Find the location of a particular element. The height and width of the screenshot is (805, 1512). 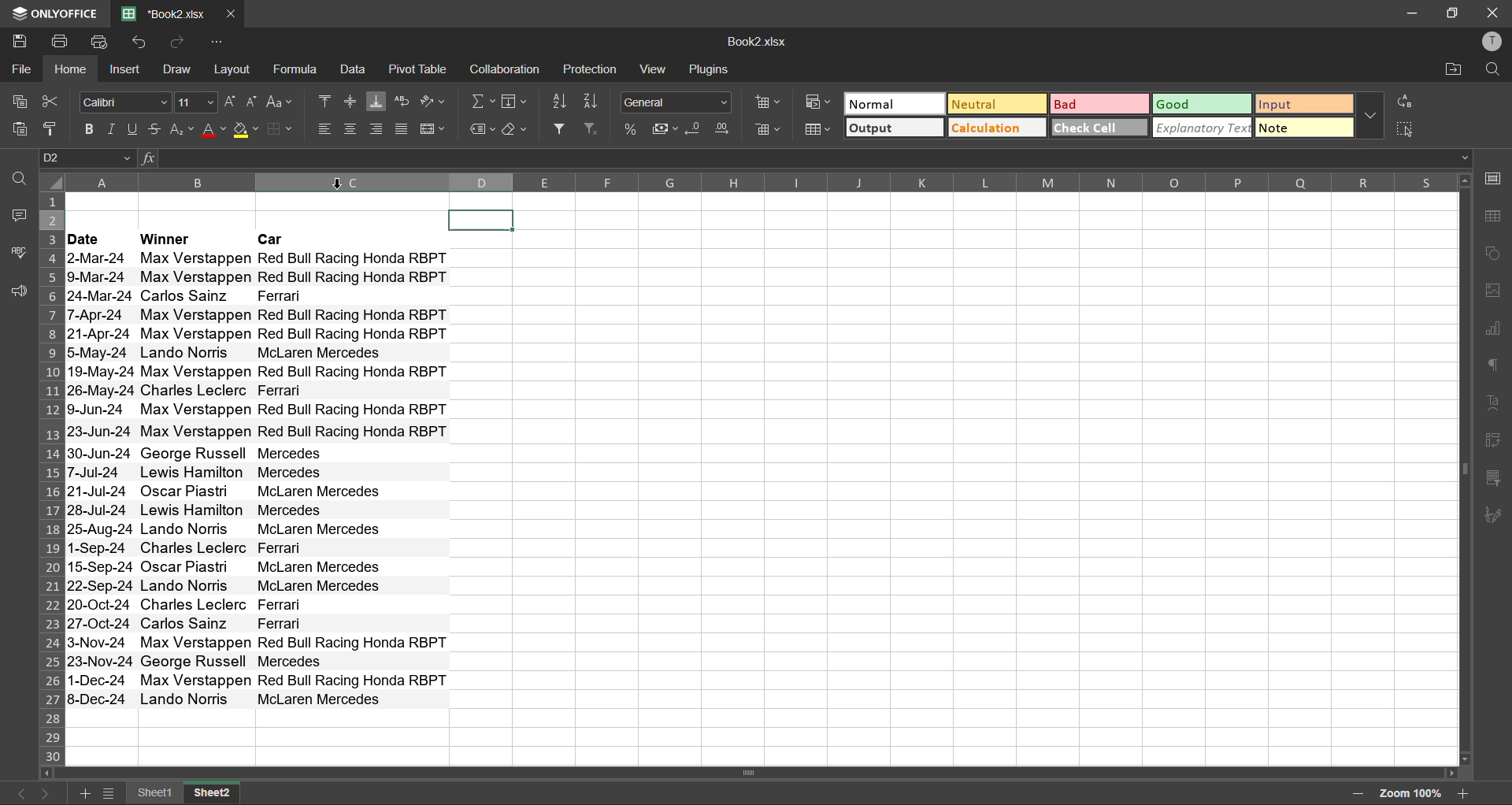

check cell is located at coordinates (1095, 131).